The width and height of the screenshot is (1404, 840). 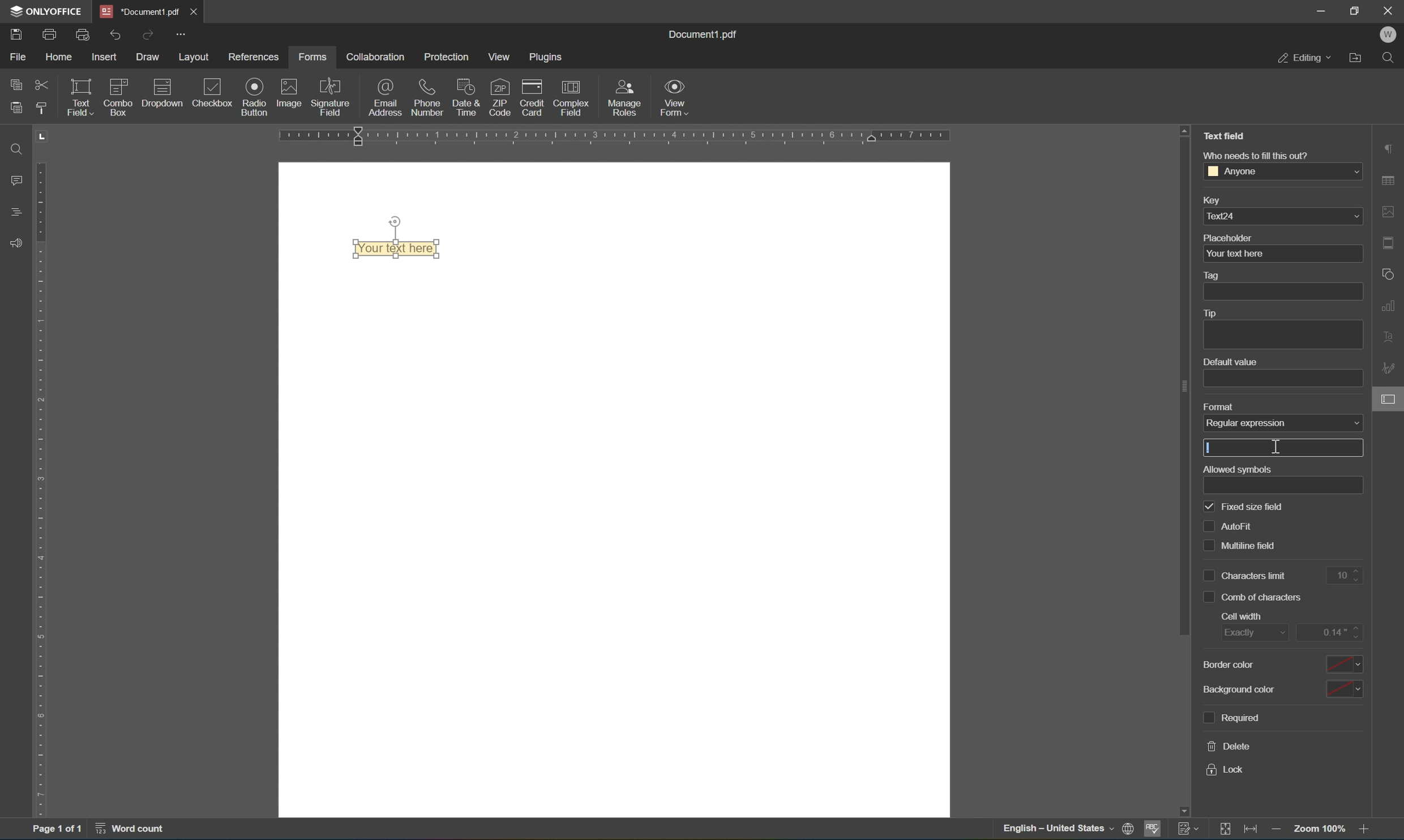 I want to click on key, so click(x=1210, y=202).